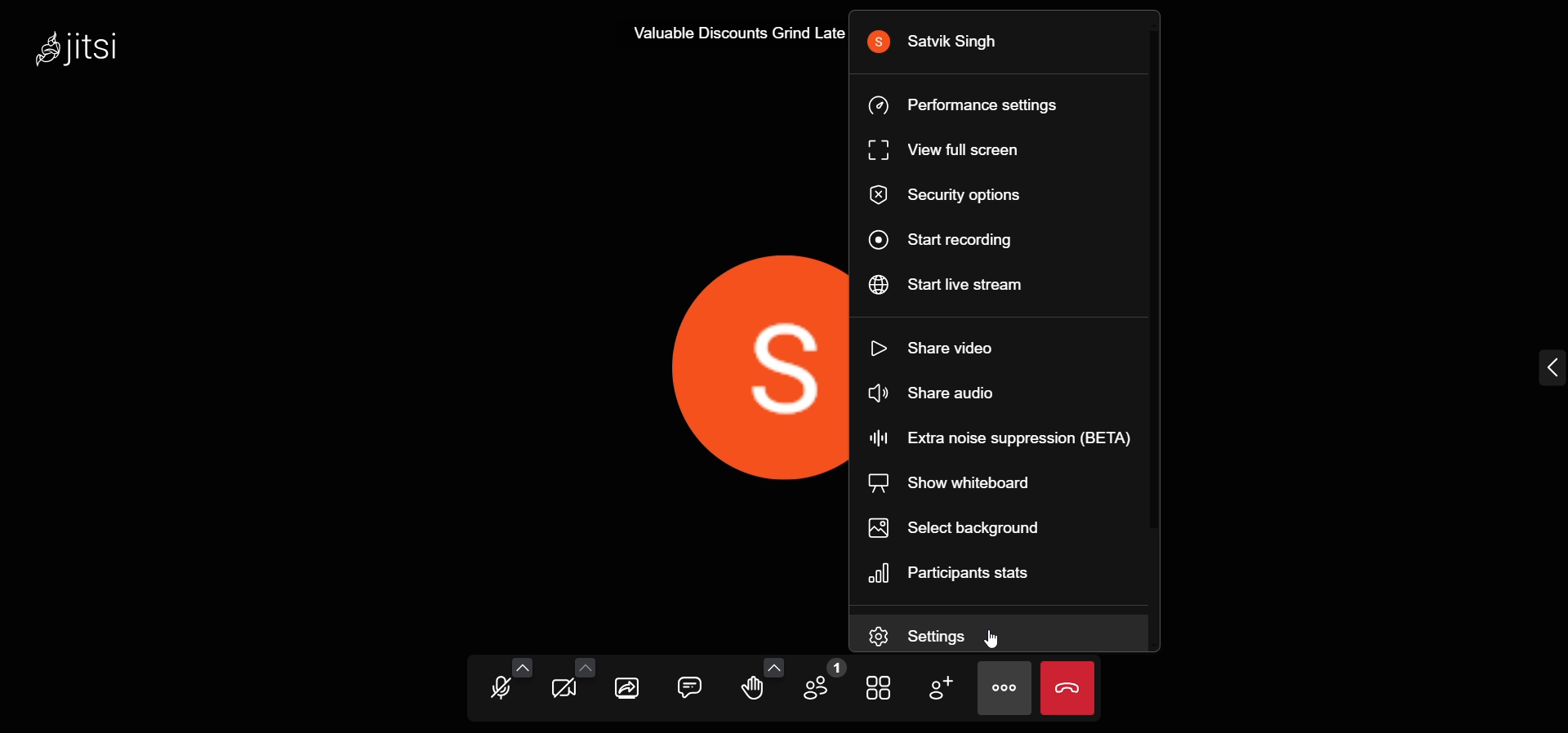 Image resolution: width=1568 pixels, height=733 pixels. I want to click on tile view, so click(878, 688).